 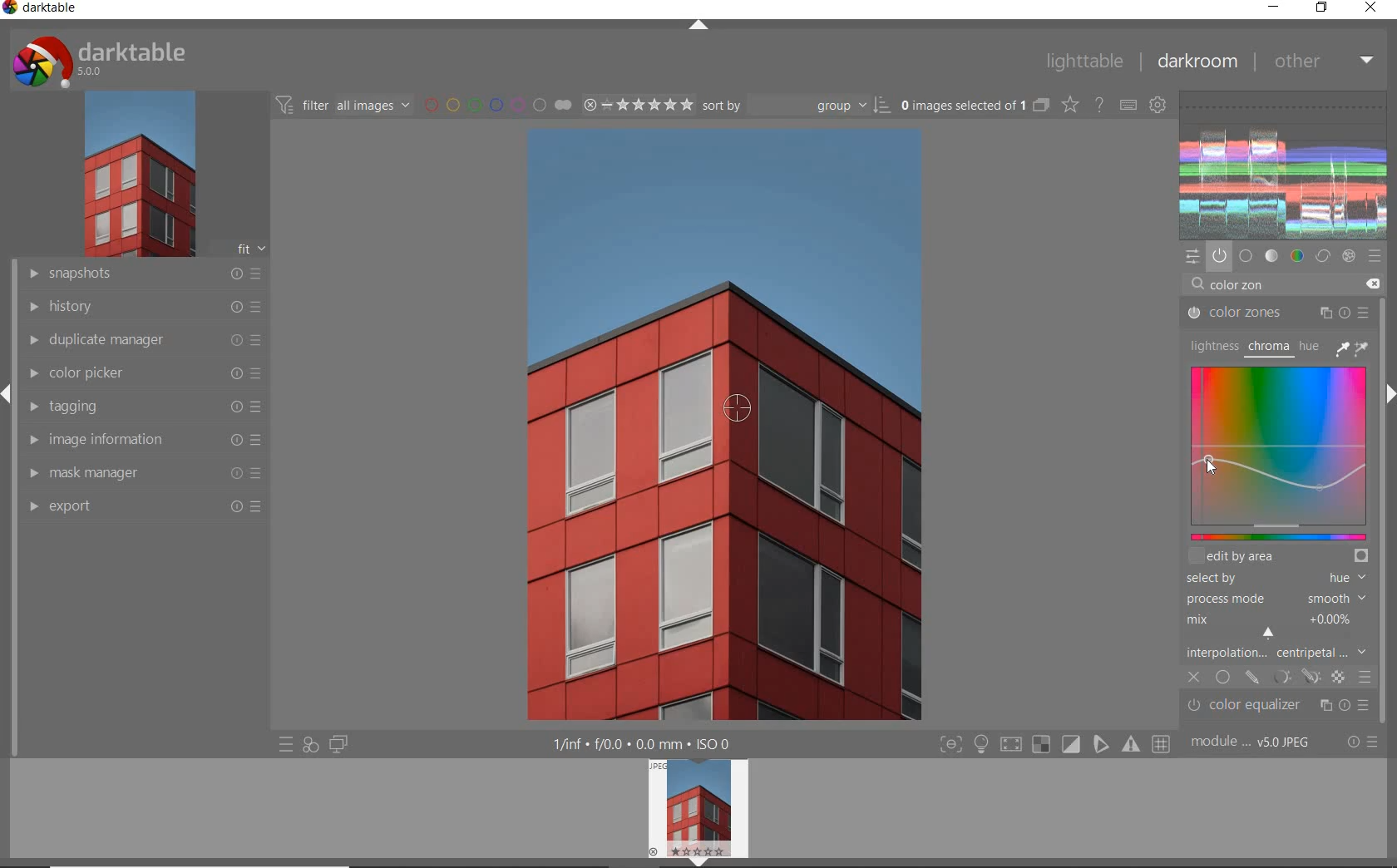 What do you see at coordinates (138, 176) in the screenshot?
I see `image` at bounding box center [138, 176].